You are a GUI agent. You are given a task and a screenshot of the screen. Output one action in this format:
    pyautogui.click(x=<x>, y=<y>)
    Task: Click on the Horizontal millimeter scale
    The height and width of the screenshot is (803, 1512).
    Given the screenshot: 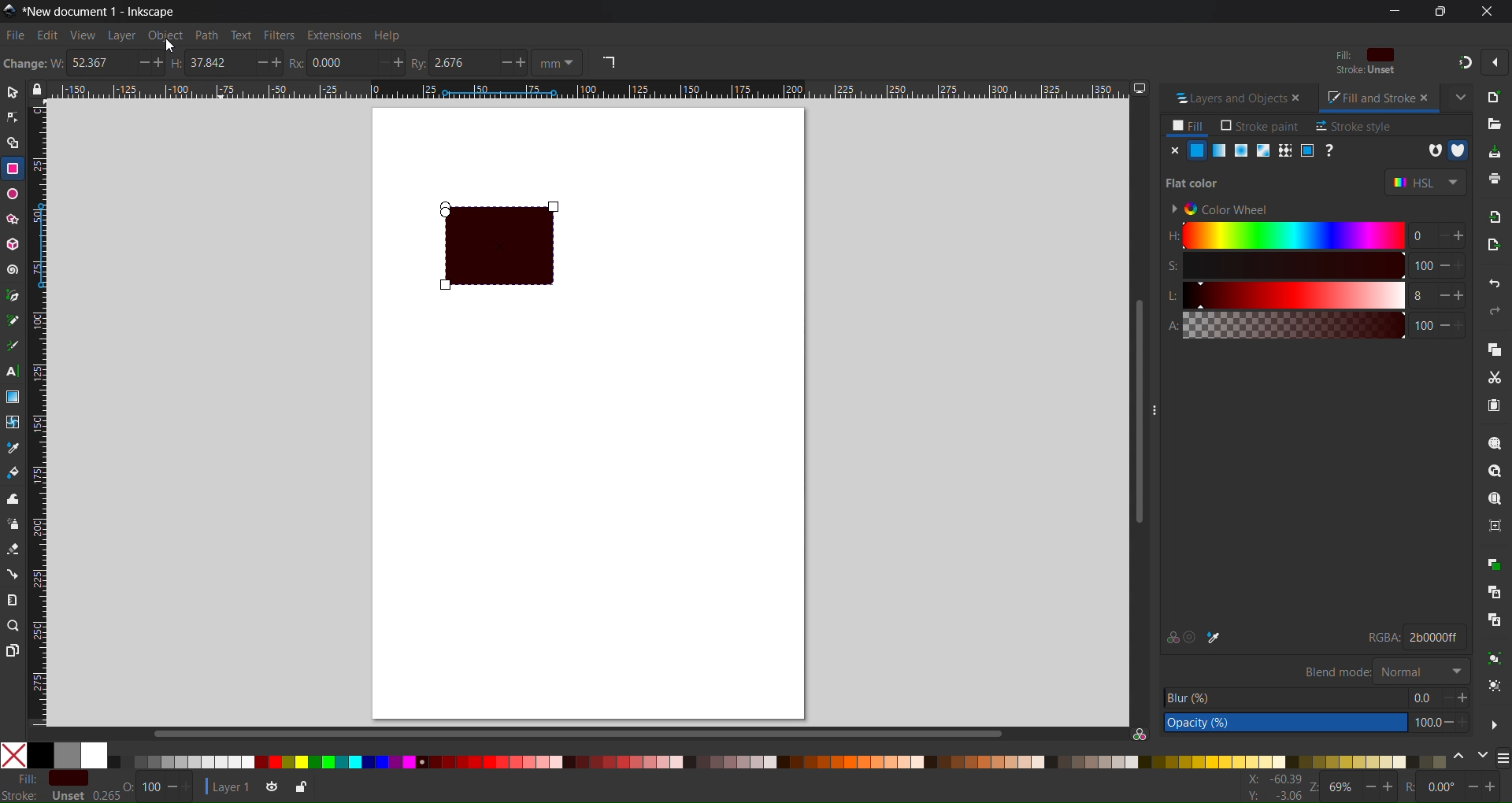 What is the action you would take?
    pyautogui.click(x=588, y=91)
    